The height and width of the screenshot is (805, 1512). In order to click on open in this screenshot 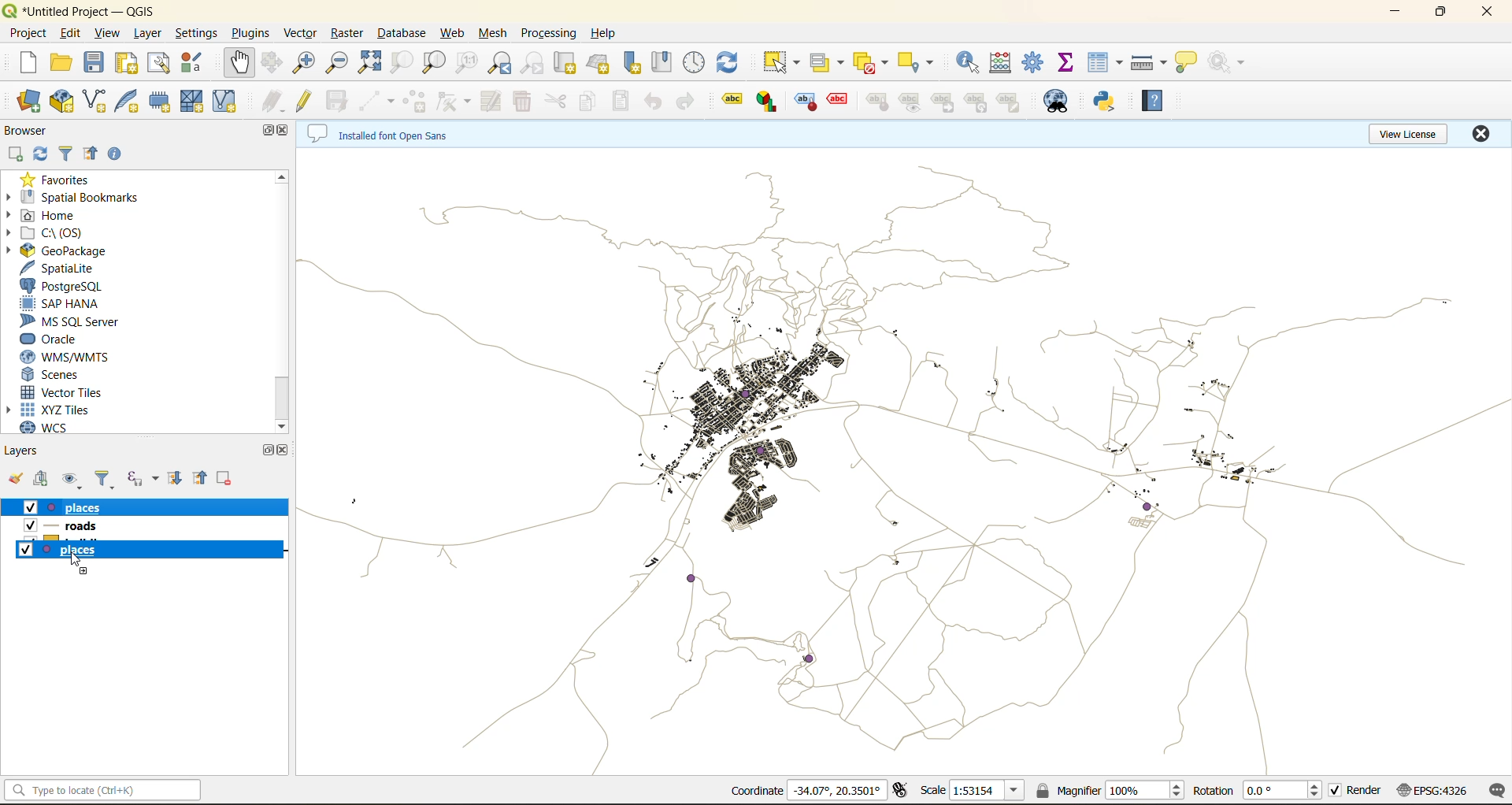, I will do `click(57, 63)`.